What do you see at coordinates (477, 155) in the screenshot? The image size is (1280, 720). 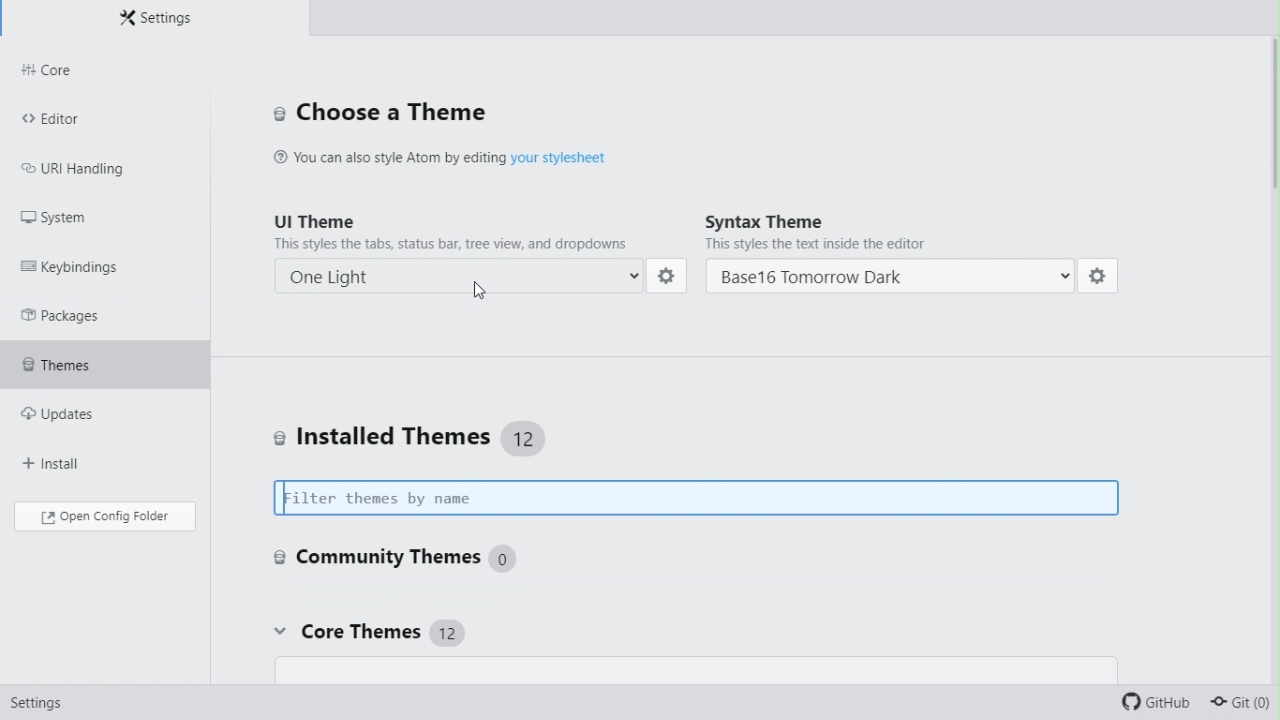 I see `you can also style atom by editing your stylesheet` at bounding box center [477, 155].